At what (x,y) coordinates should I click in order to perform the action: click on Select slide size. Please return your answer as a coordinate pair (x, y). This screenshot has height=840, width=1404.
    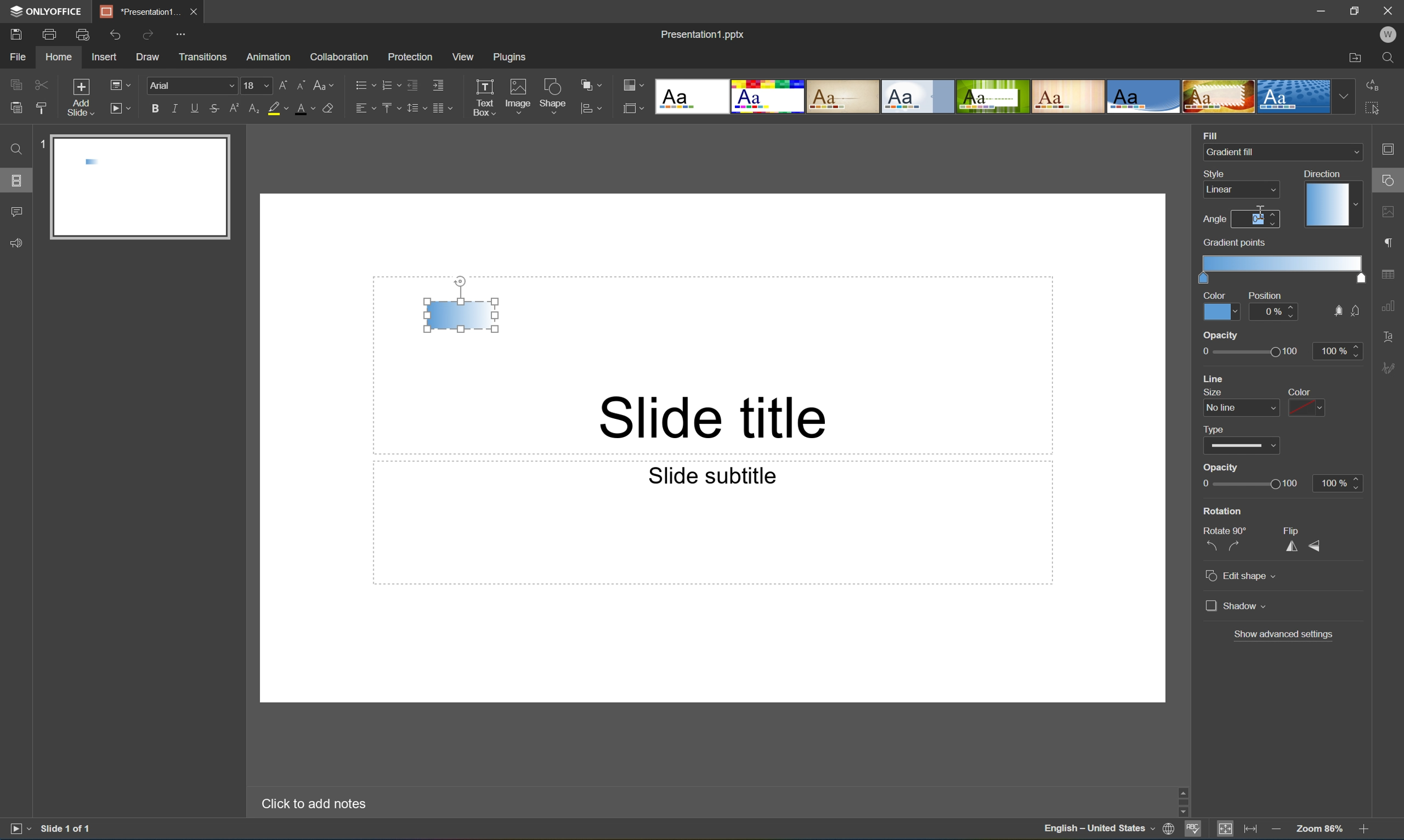
    Looking at the image, I should click on (633, 110).